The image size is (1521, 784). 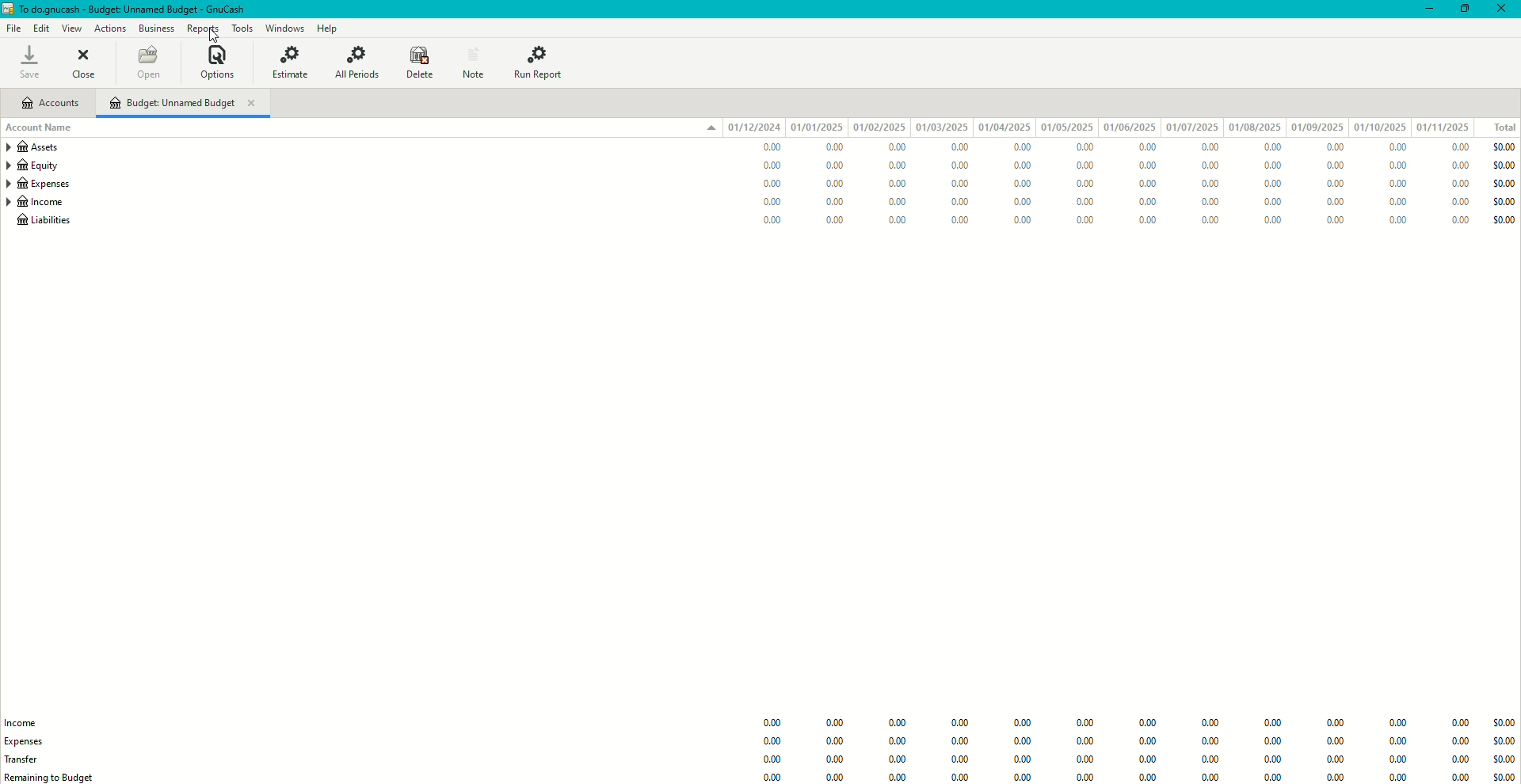 What do you see at coordinates (898, 218) in the screenshot?
I see `0.00` at bounding box center [898, 218].